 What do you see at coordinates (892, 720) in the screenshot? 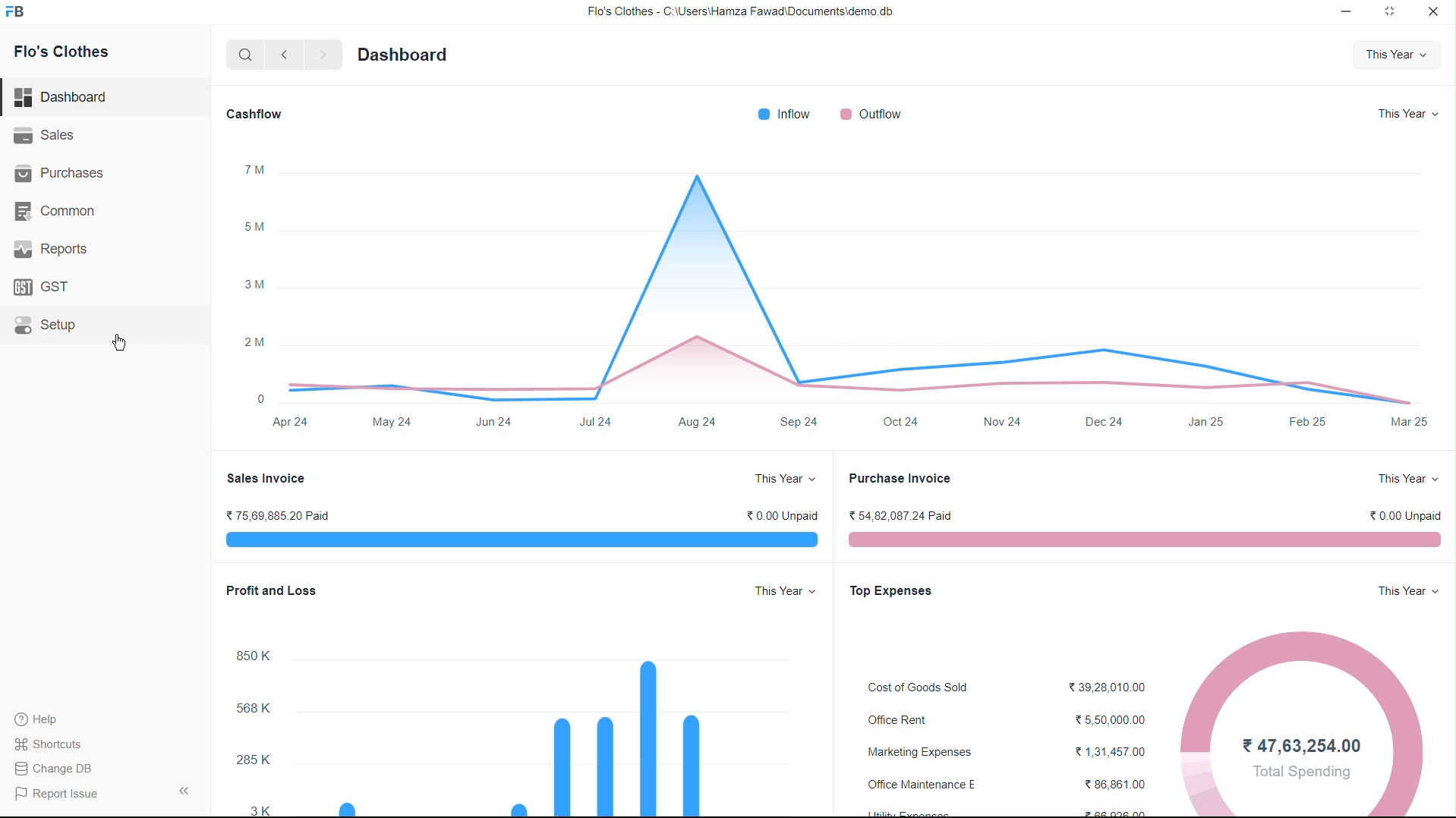
I see `Office Rent` at bounding box center [892, 720].